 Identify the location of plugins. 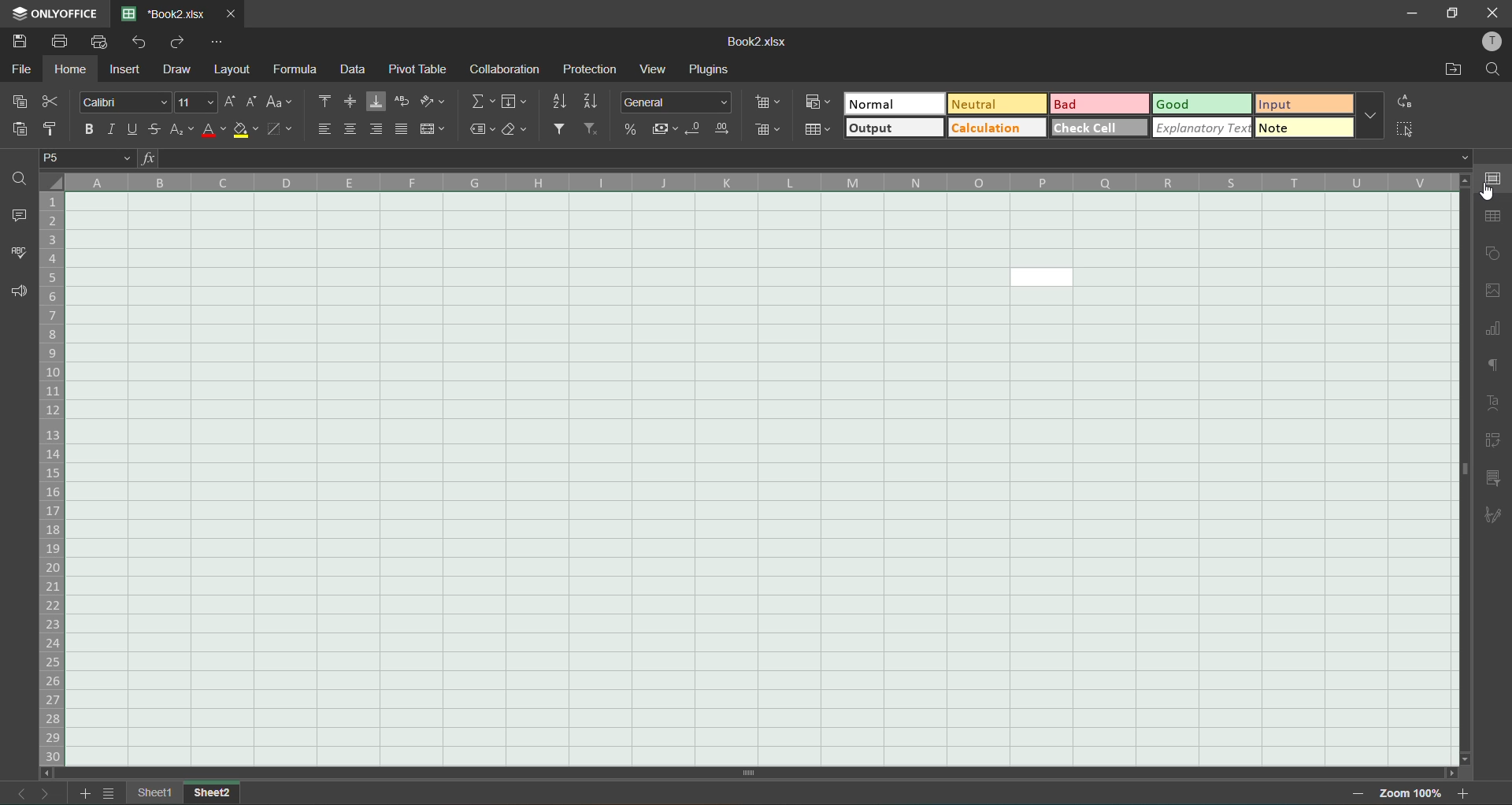
(714, 71).